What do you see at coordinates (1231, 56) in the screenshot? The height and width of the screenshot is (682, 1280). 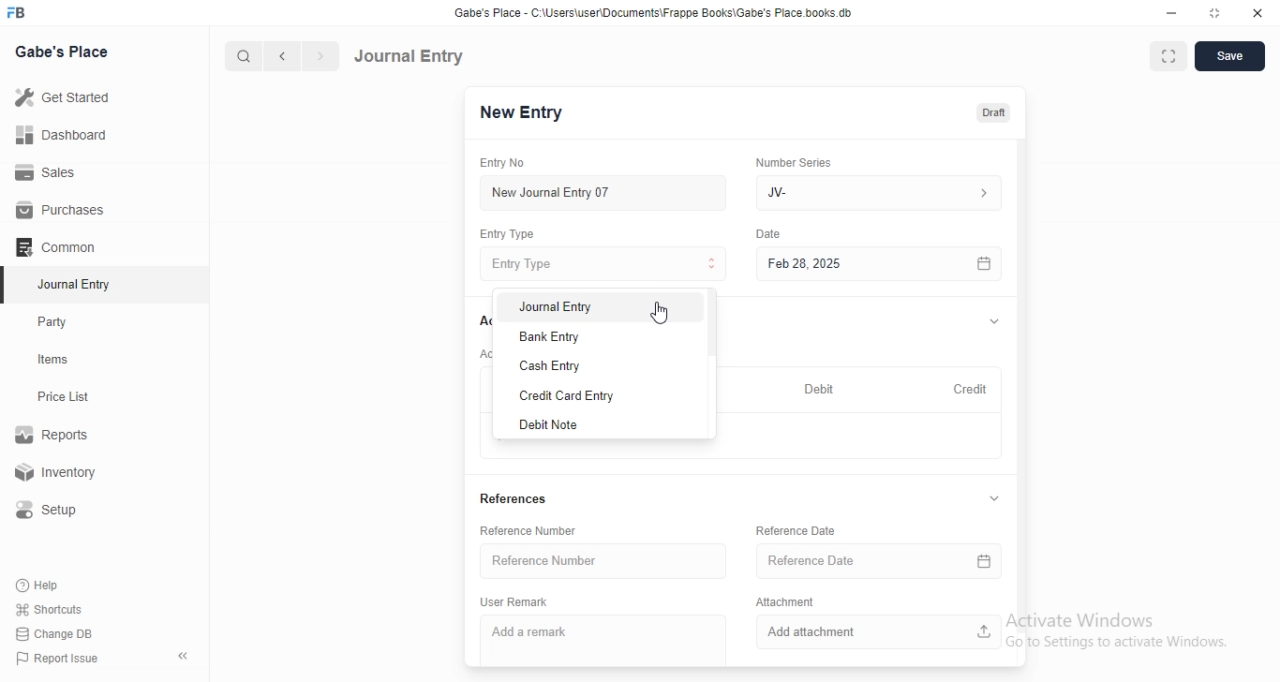 I see `save` at bounding box center [1231, 56].